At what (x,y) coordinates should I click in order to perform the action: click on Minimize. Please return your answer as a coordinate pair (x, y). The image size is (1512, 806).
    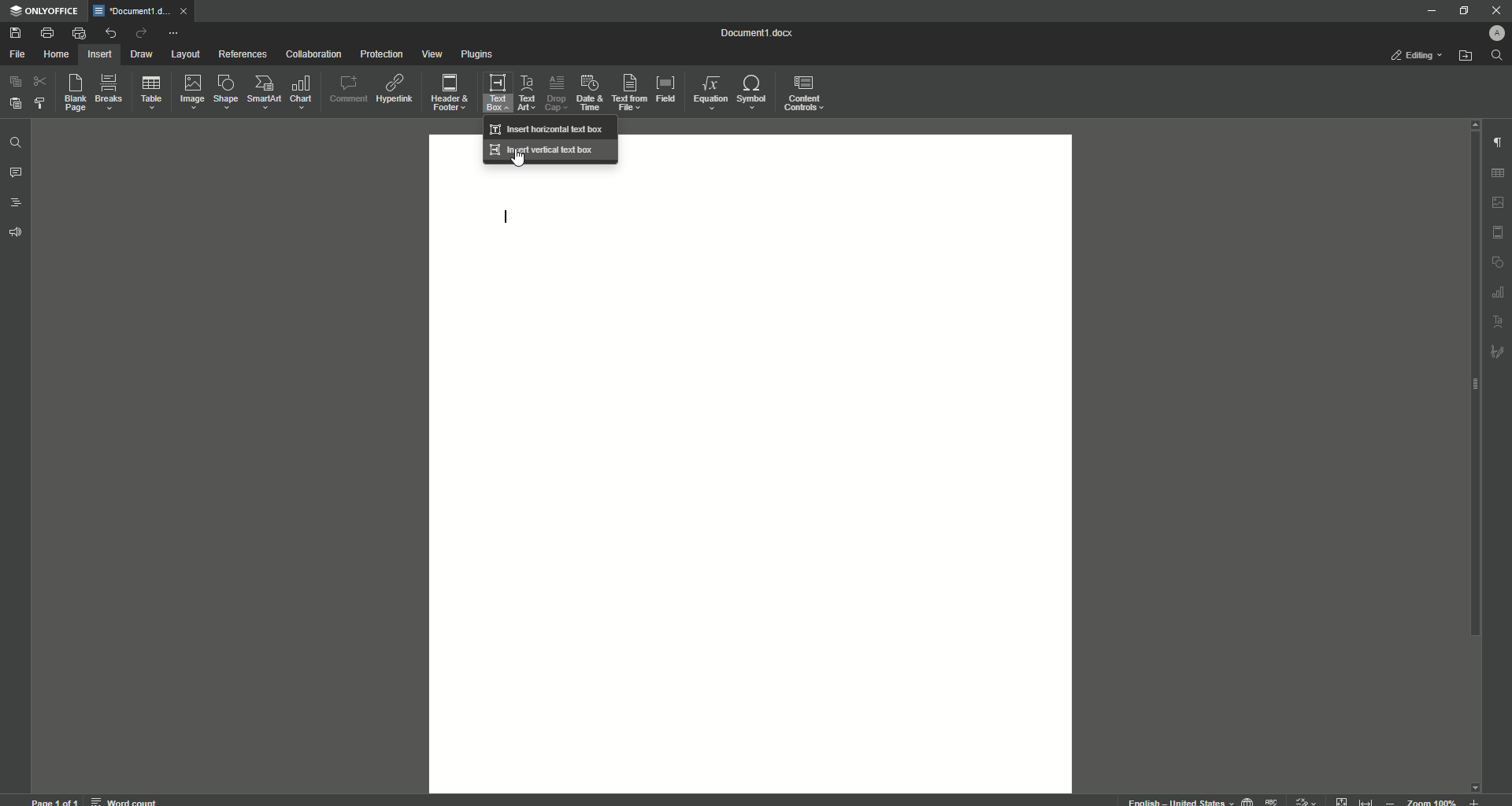
    Looking at the image, I should click on (1427, 10).